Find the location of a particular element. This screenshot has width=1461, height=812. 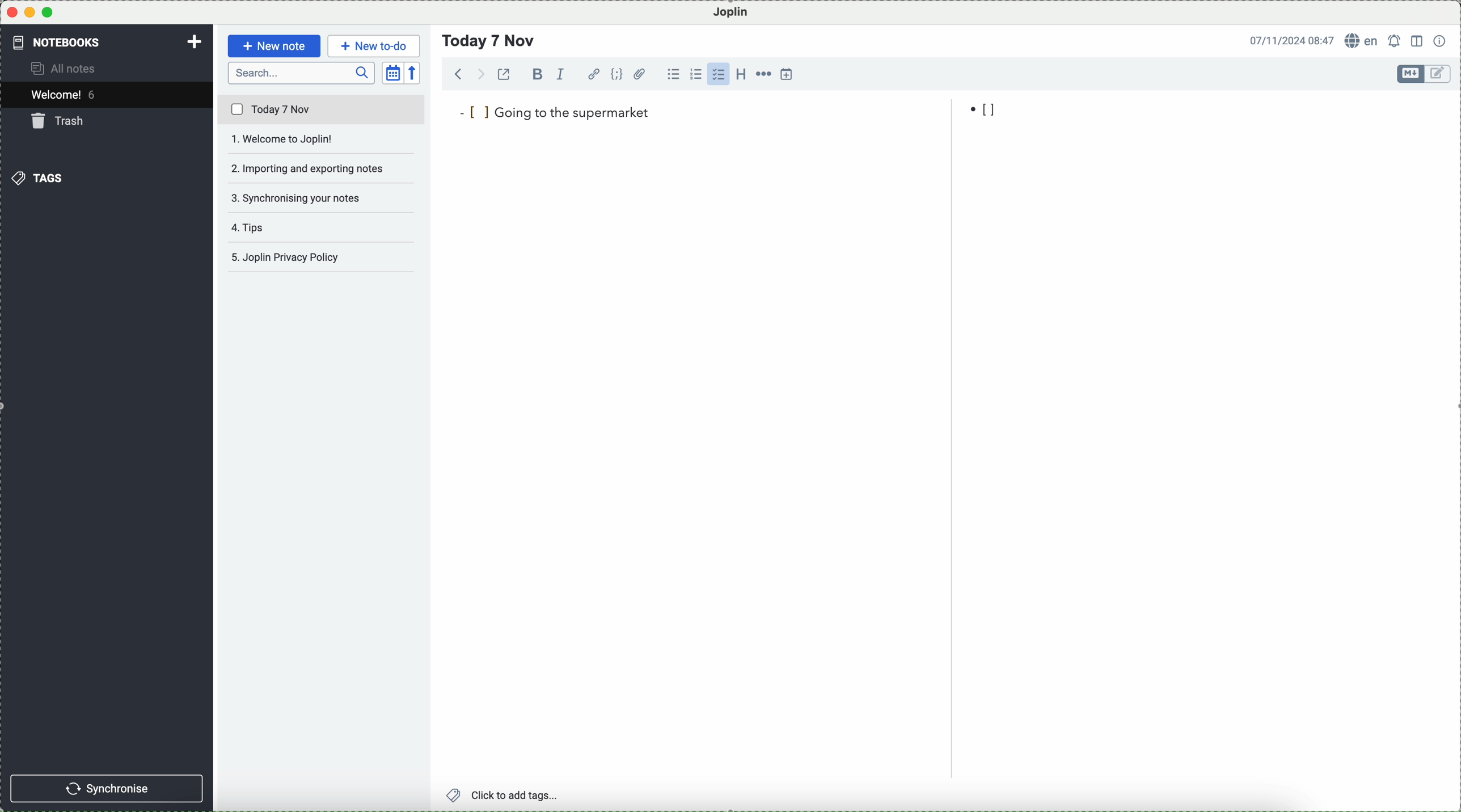

toggle external editing is located at coordinates (504, 74).